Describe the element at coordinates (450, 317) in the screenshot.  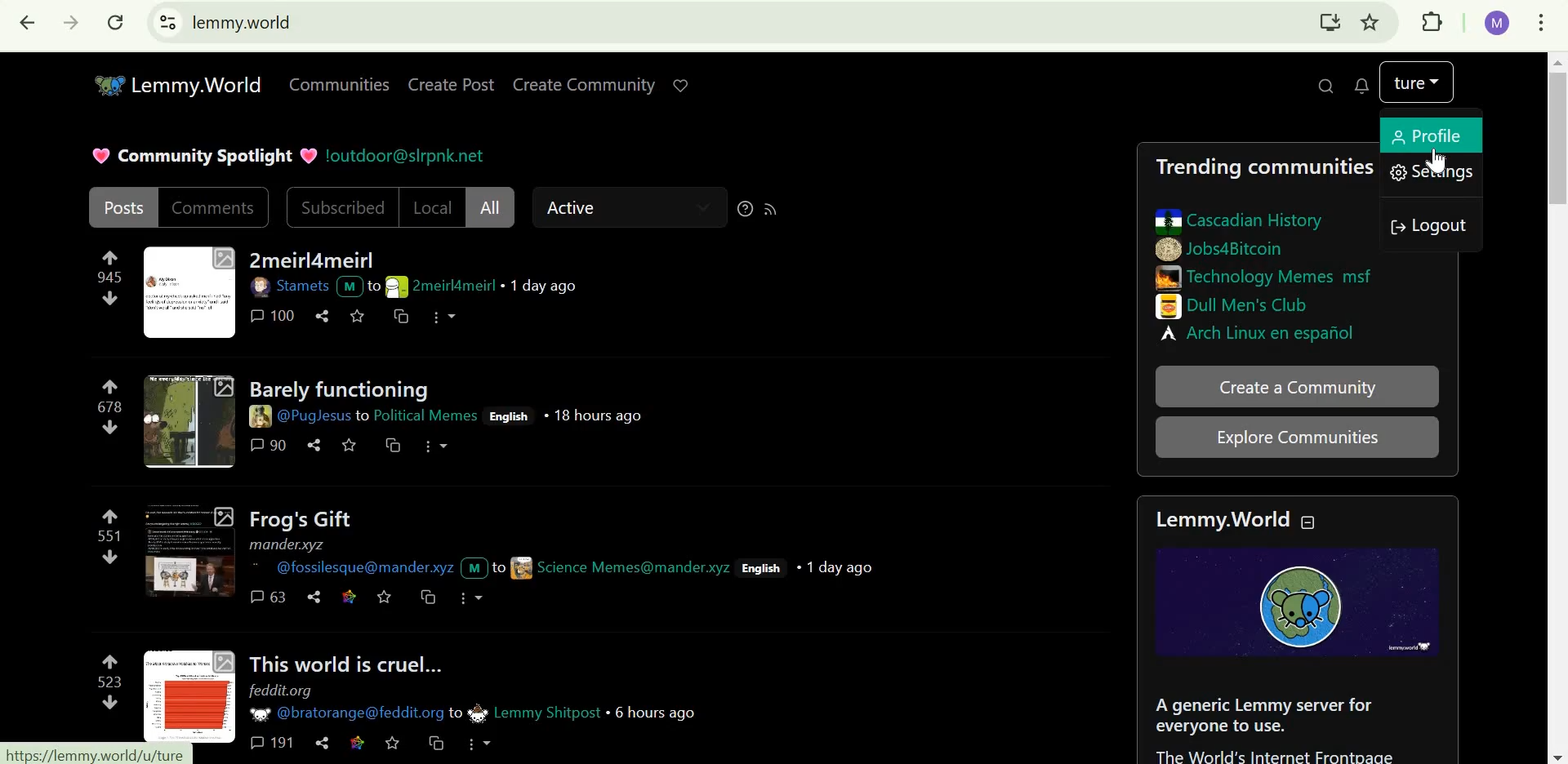
I see `more` at that location.